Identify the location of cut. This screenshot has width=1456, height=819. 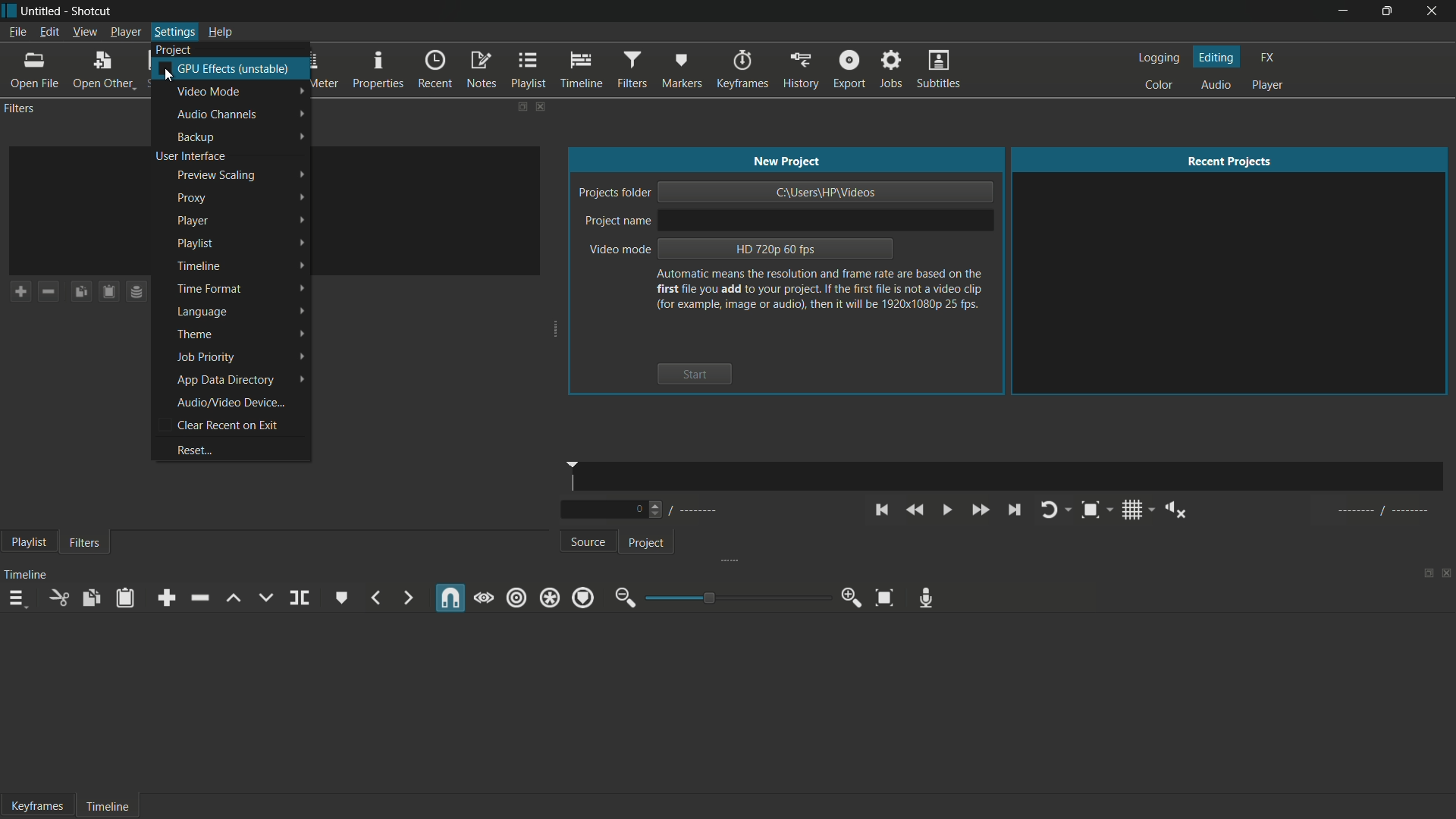
(58, 600).